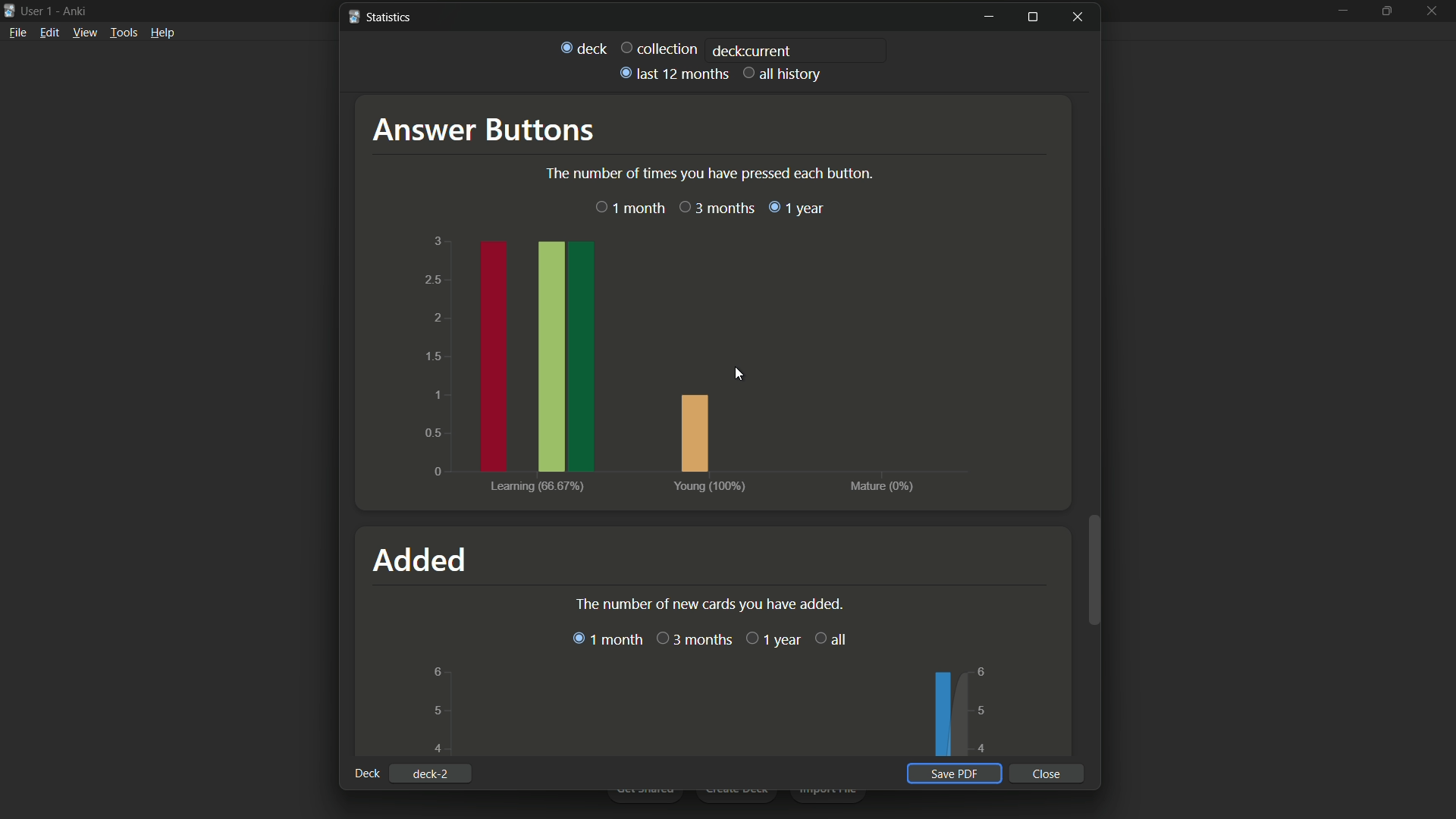 The height and width of the screenshot is (819, 1456). I want to click on User 1, so click(38, 10).